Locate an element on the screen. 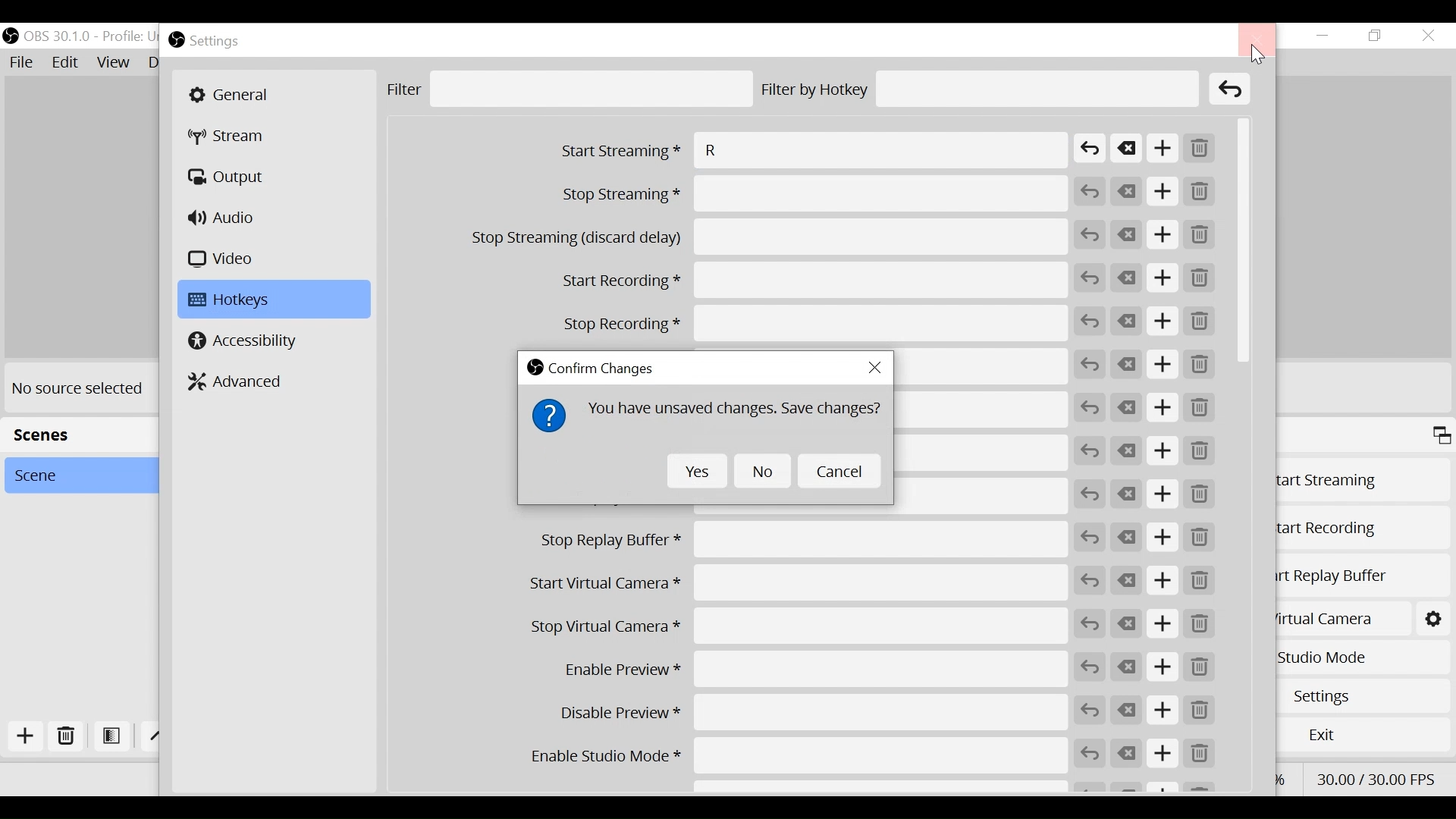  Remove is located at coordinates (1200, 236).